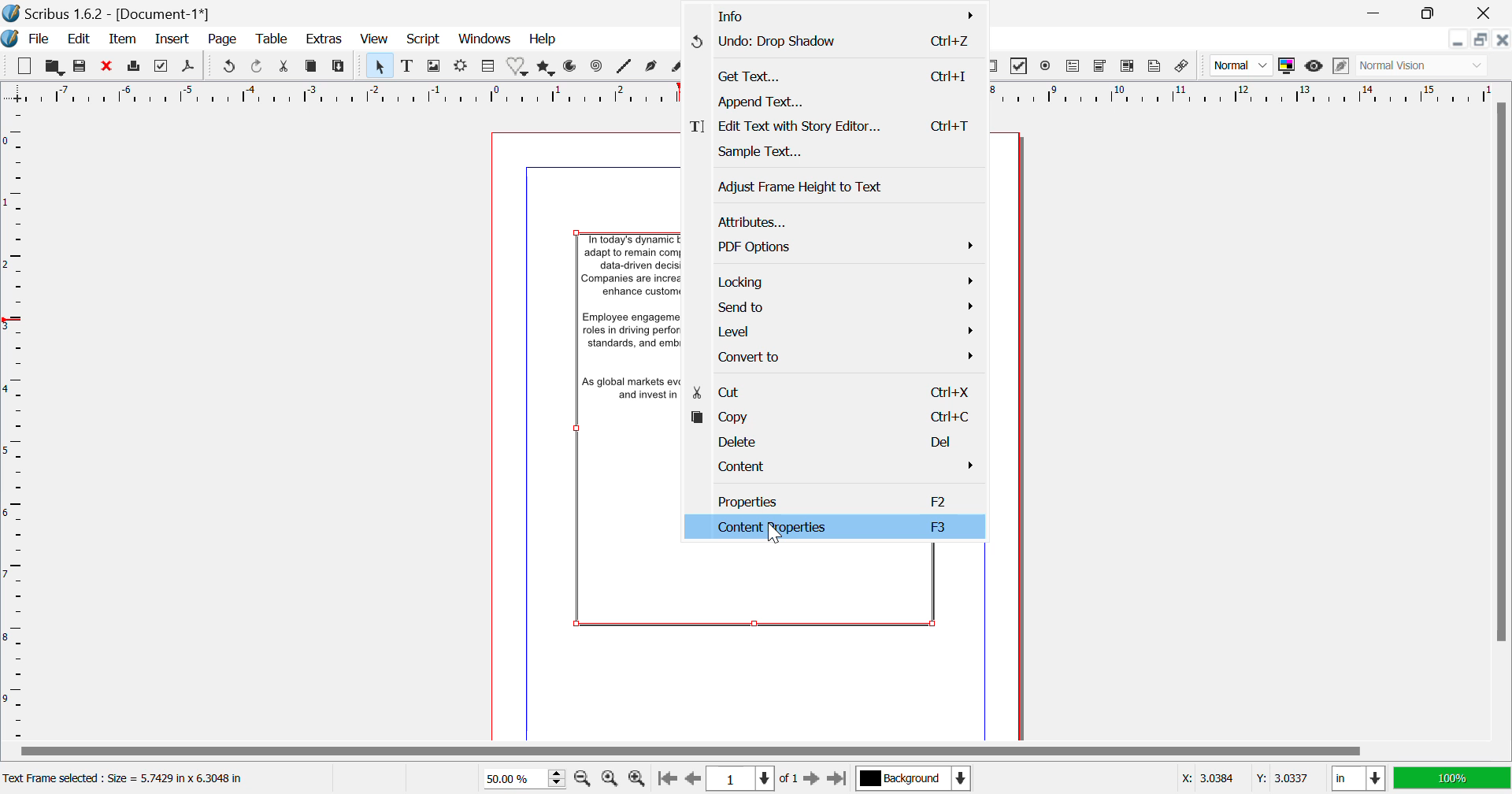 The width and height of the screenshot is (1512, 794). Describe the element at coordinates (1314, 66) in the screenshot. I see `Preview` at that location.